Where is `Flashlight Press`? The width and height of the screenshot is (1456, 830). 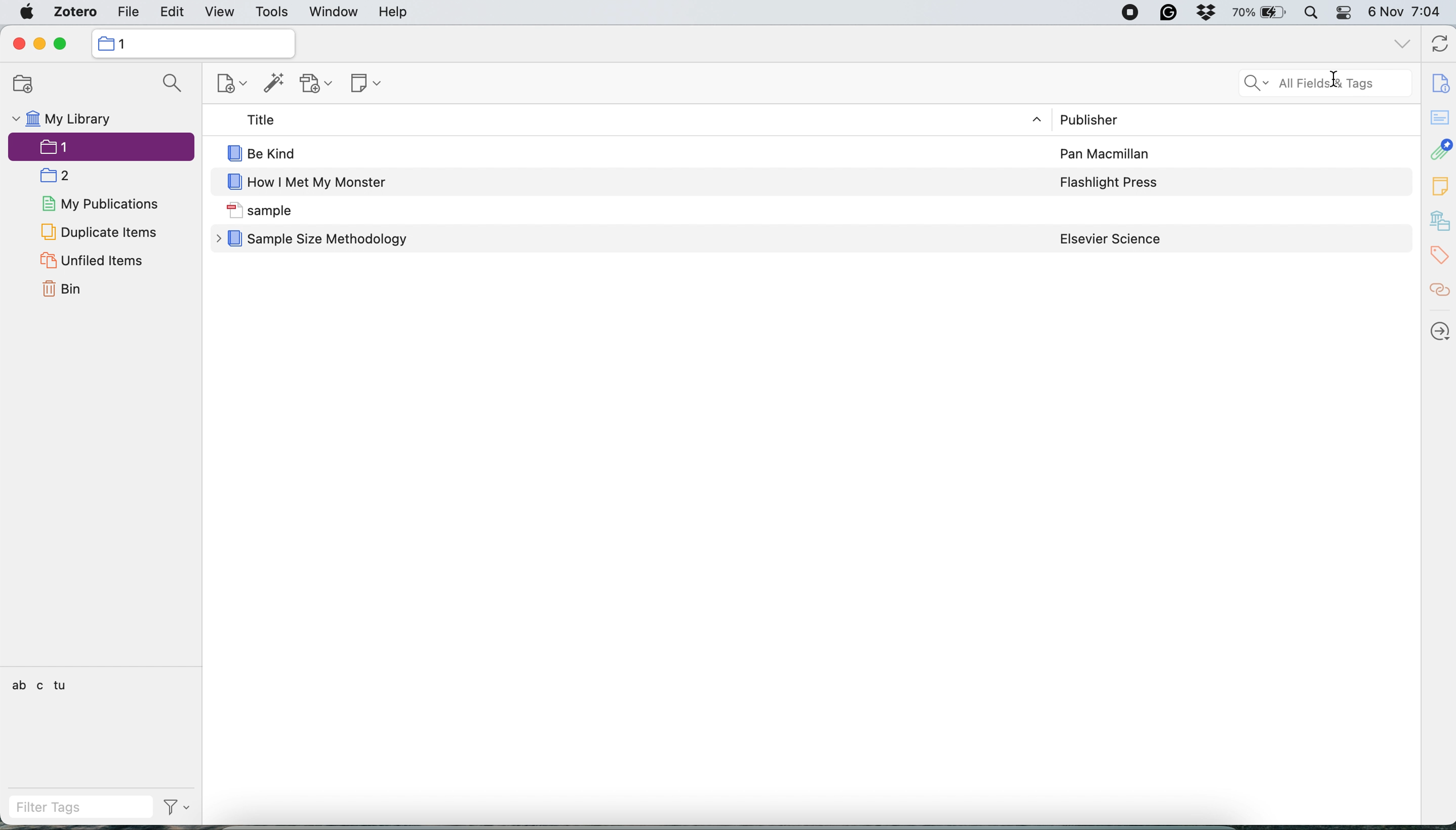 Flashlight Press is located at coordinates (1111, 182).